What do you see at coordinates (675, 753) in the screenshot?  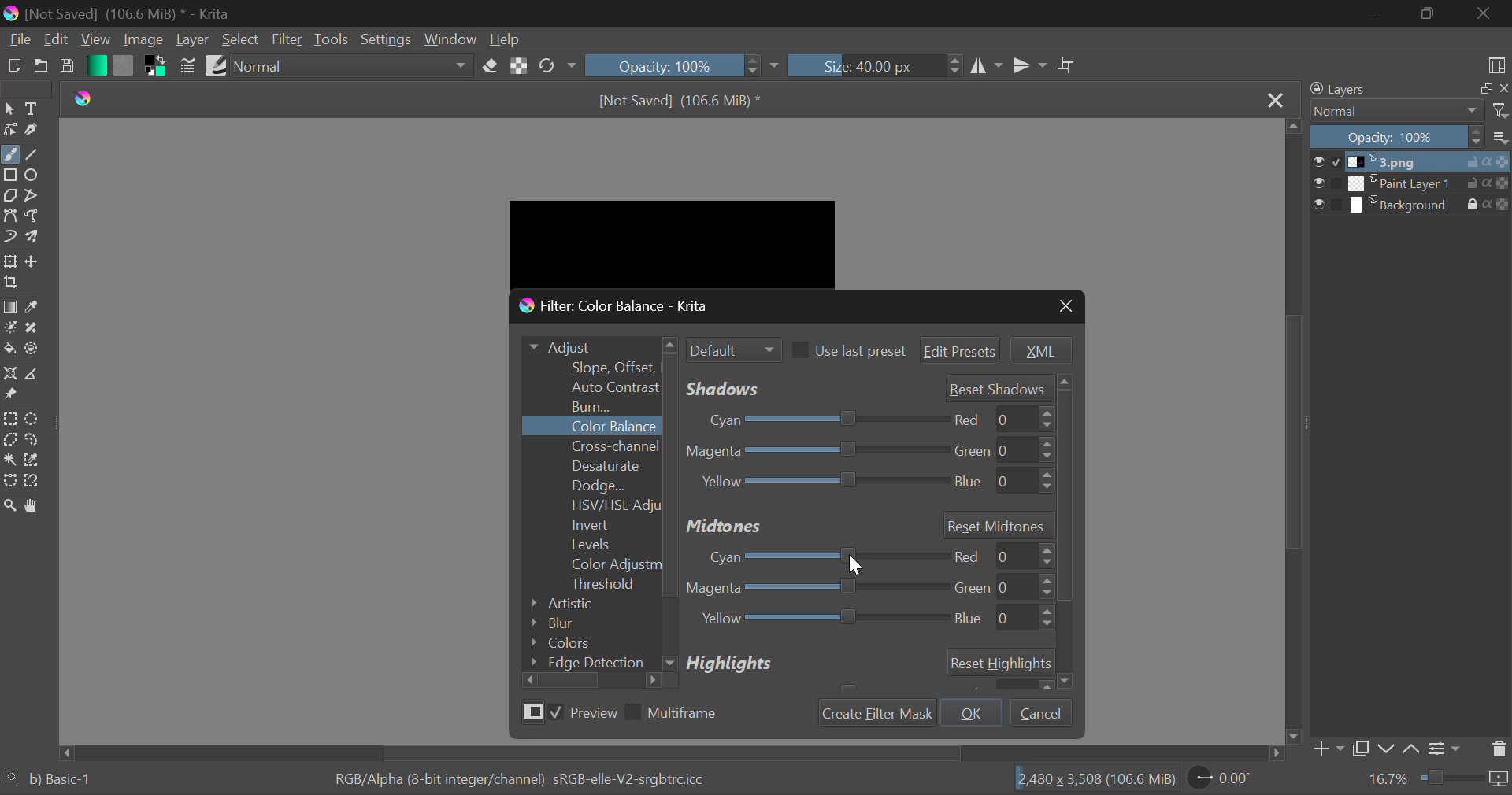 I see `Scroll Bar` at bounding box center [675, 753].